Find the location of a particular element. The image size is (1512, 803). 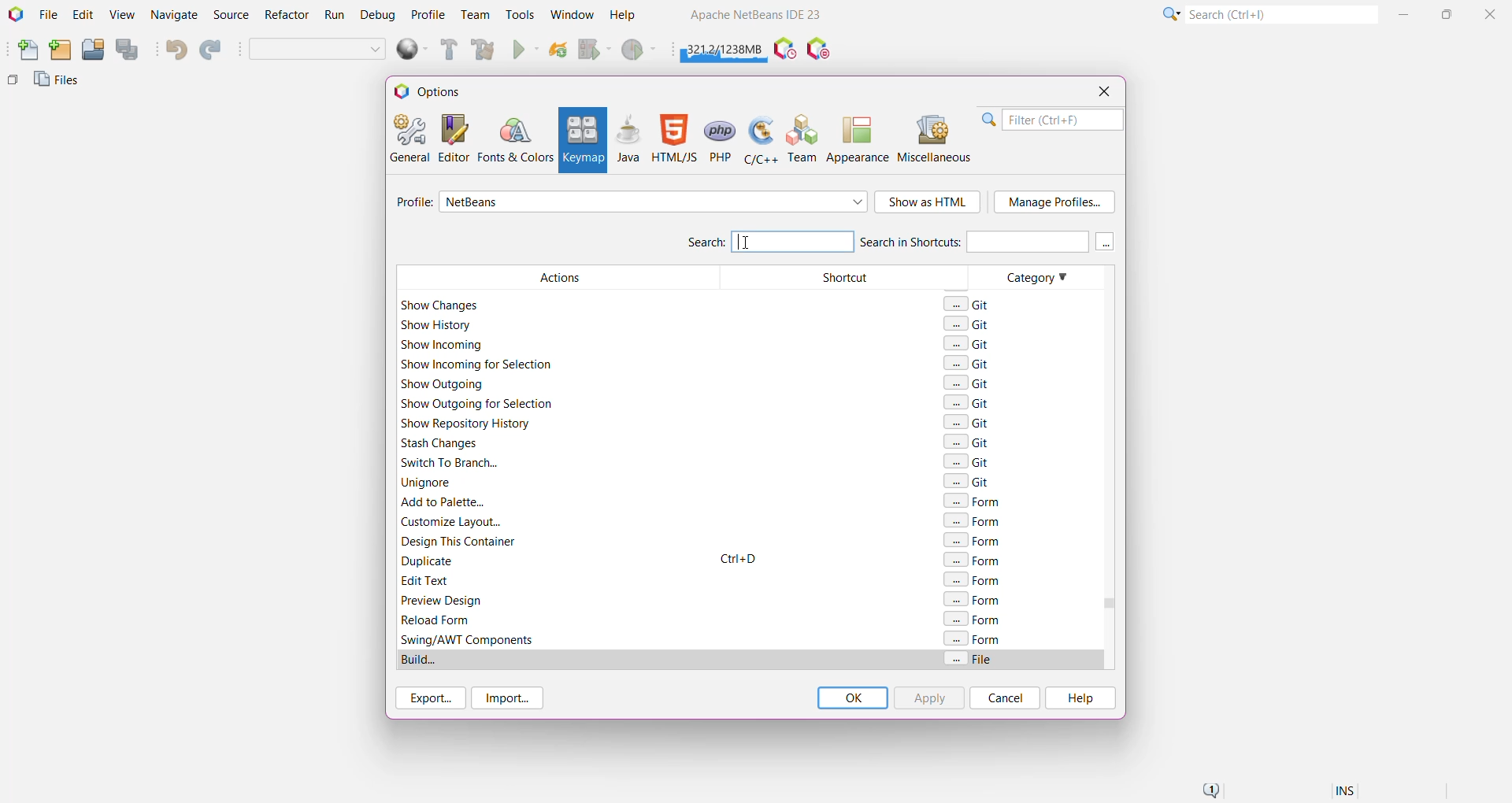

Profile is located at coordinates (412, 204).